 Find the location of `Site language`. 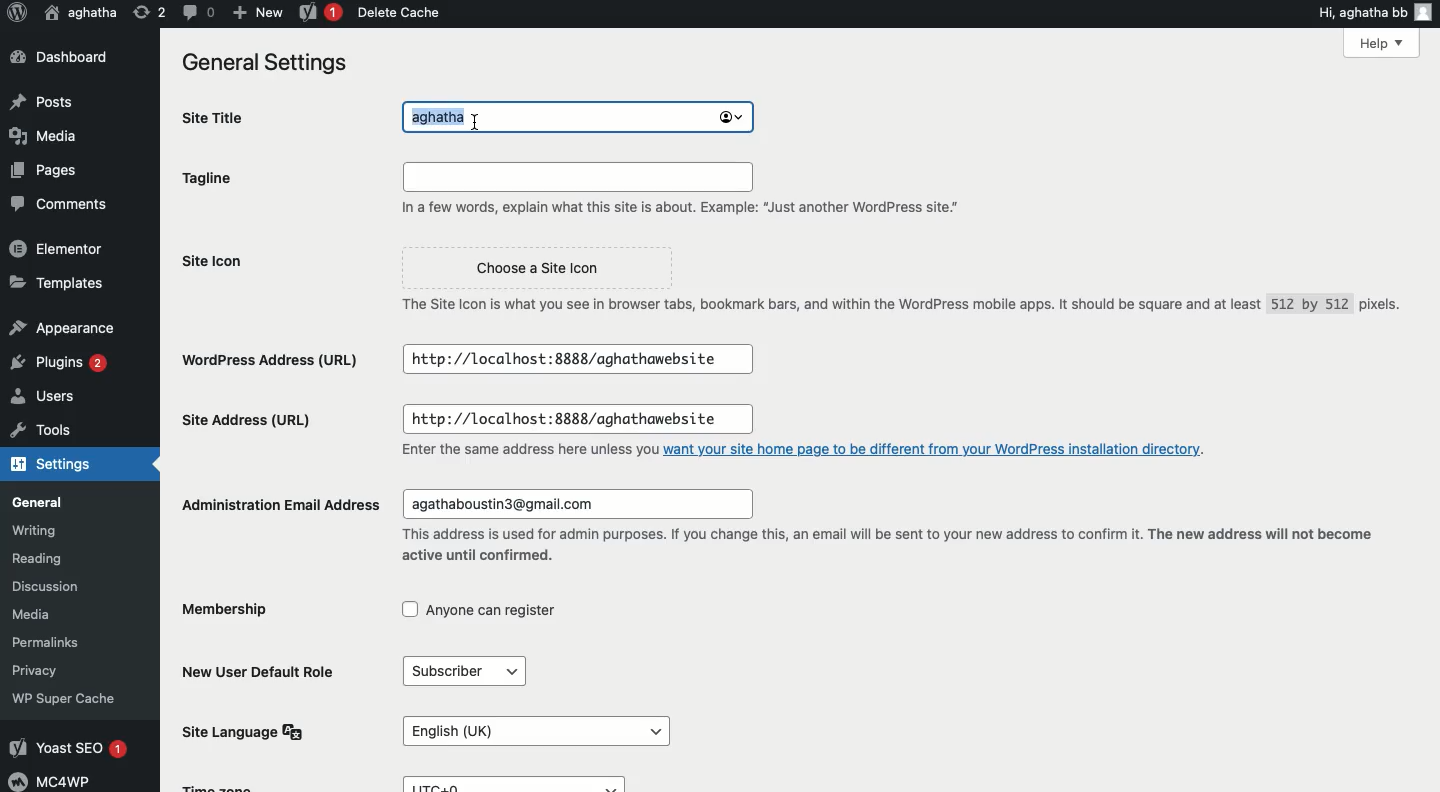

Site language is located at coordinates (251, 731).